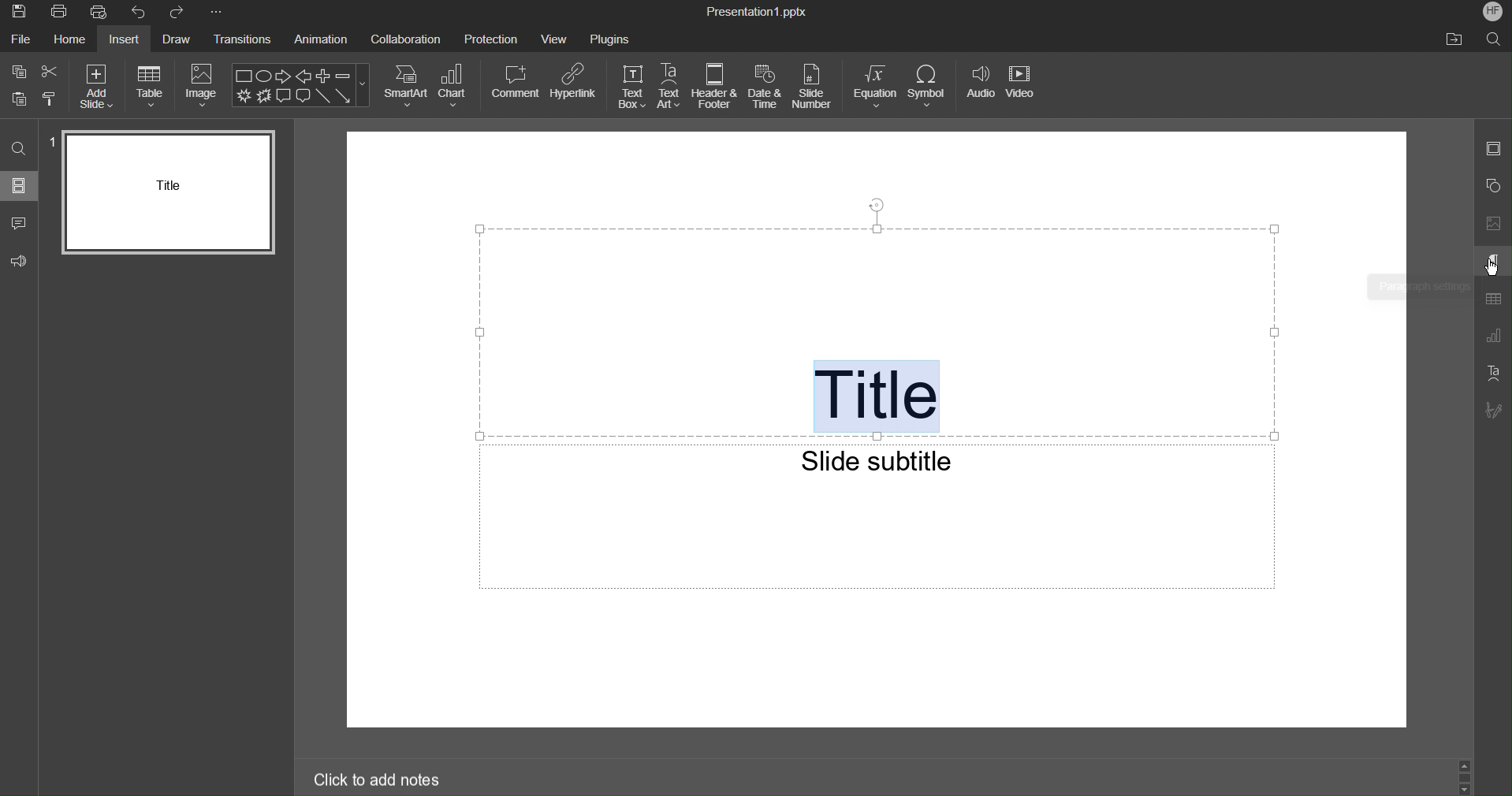 This screenshot has height=796, width=1512. What do you see at coordinates (1456, 39) in the screenshot?
I see `Open file location` at bounding box center [1456, 39].